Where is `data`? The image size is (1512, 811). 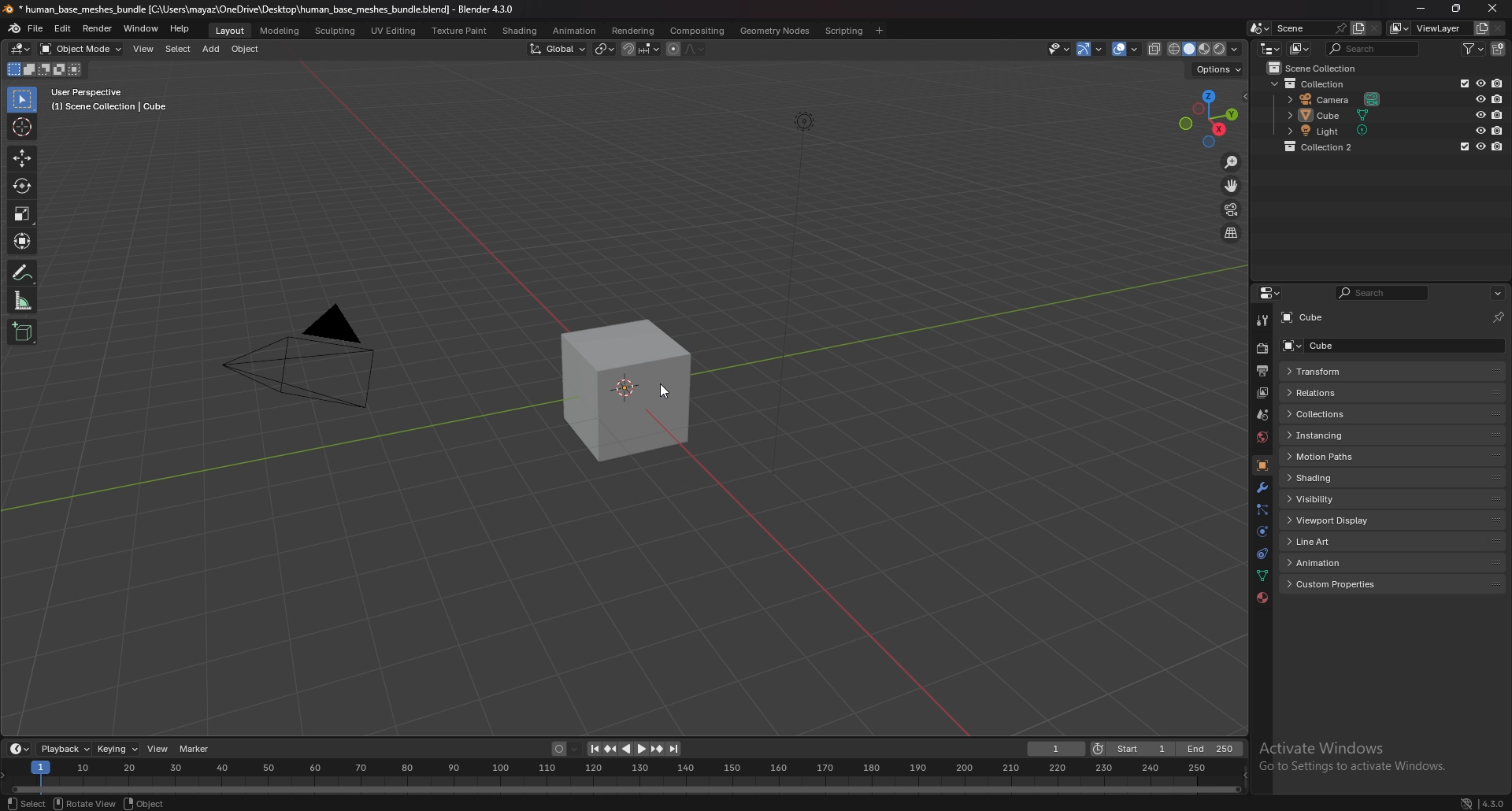 data is located at coordinates (1262, 576).